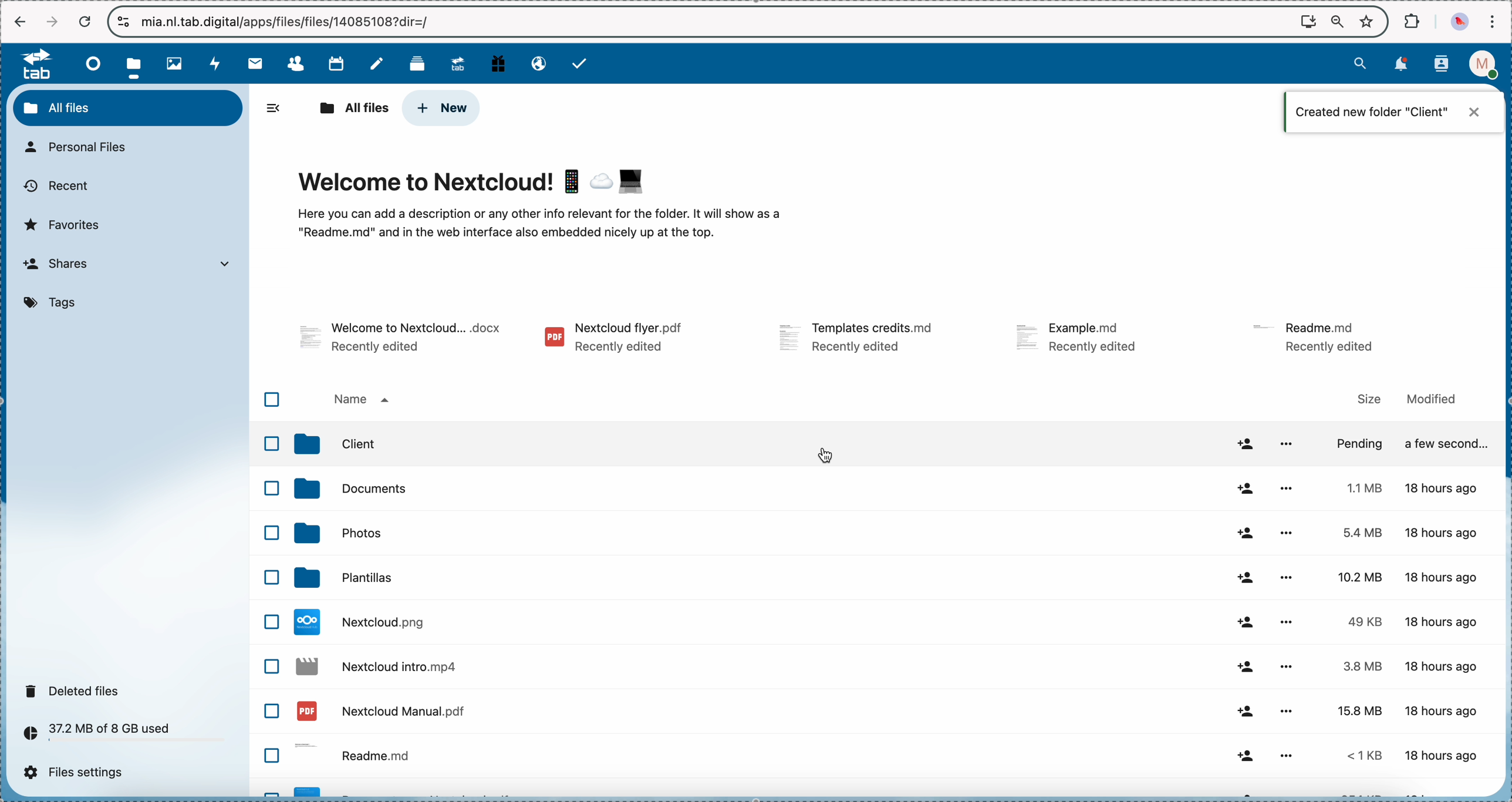 This screenshot has width=1512, height=802. I want to click on file, so click(864, 338).